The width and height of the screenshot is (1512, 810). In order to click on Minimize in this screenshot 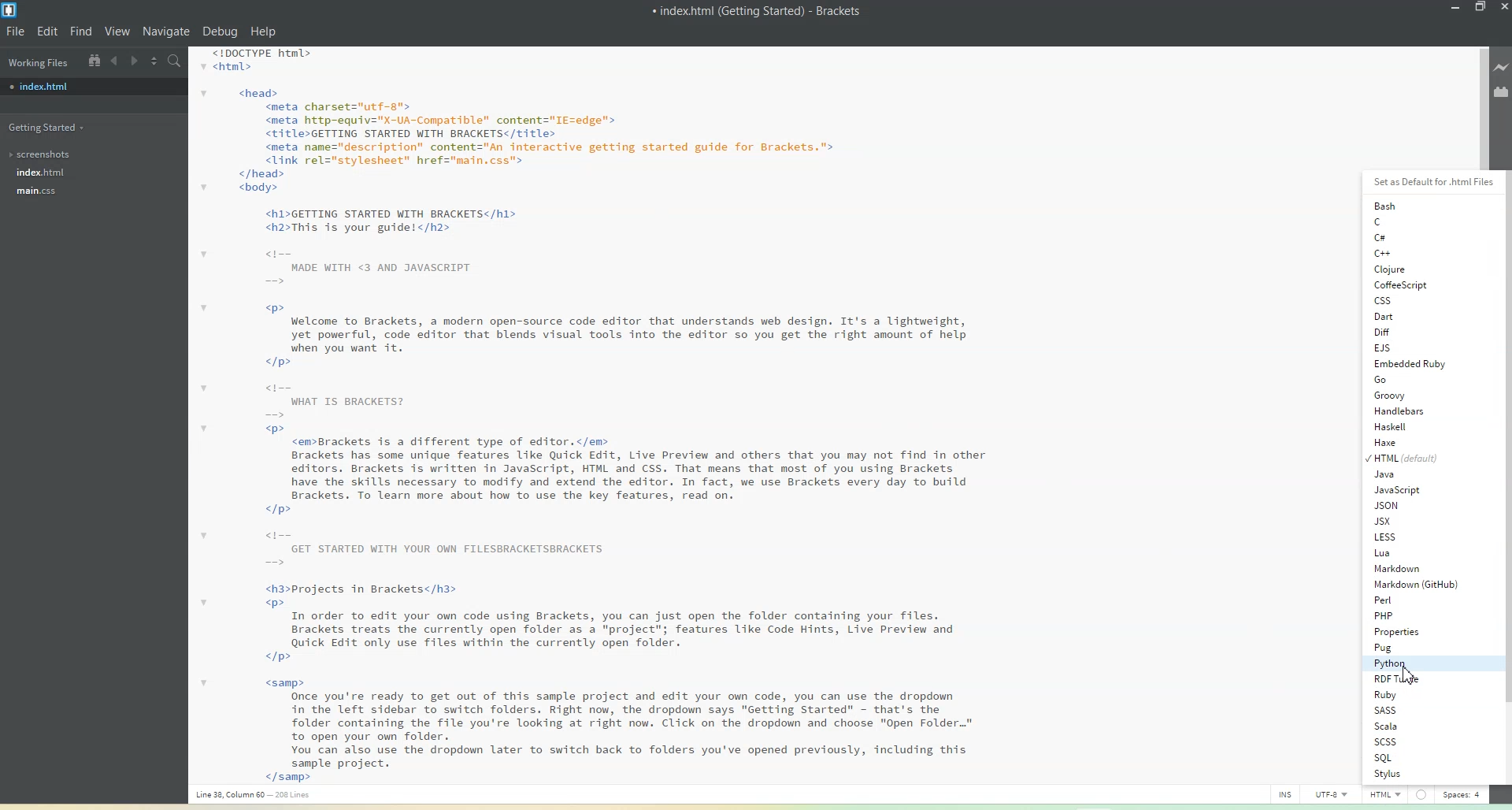, I will do `click(1456, 8)`.